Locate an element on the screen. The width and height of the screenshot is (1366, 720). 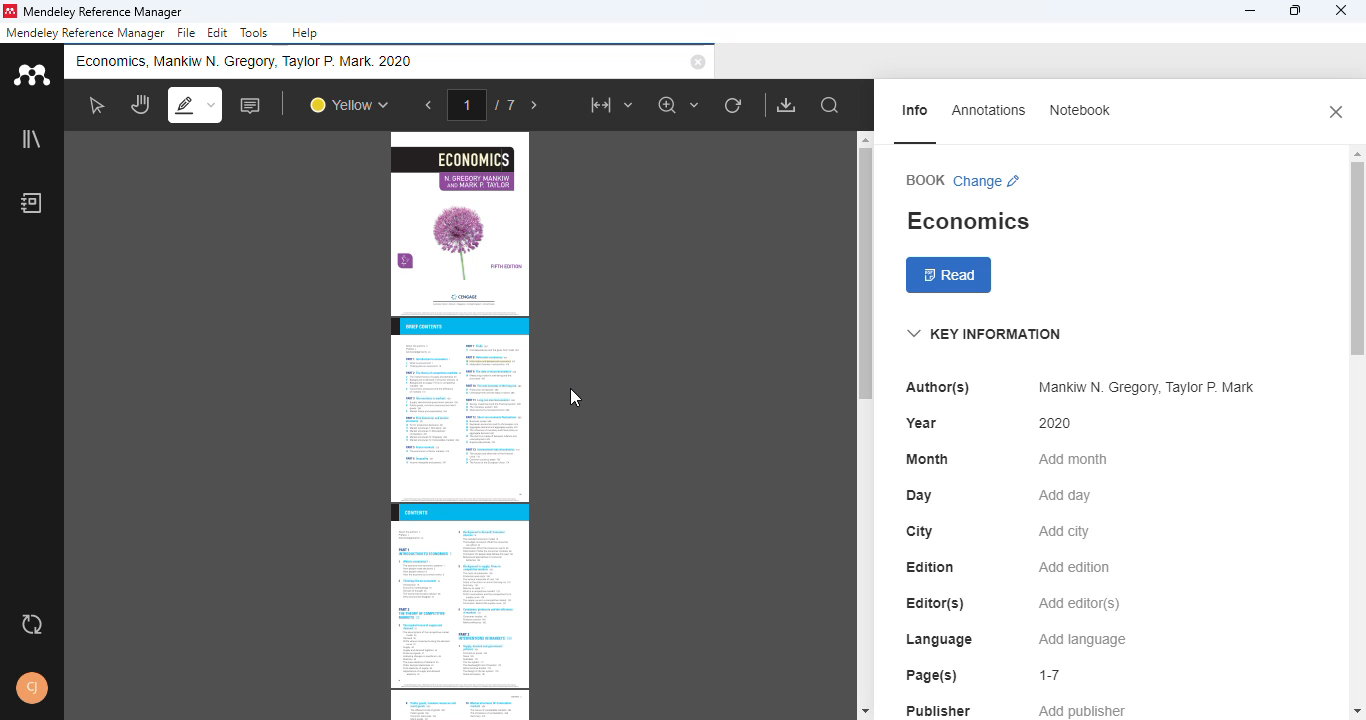
add edition is located at coordinates (1075, 567).